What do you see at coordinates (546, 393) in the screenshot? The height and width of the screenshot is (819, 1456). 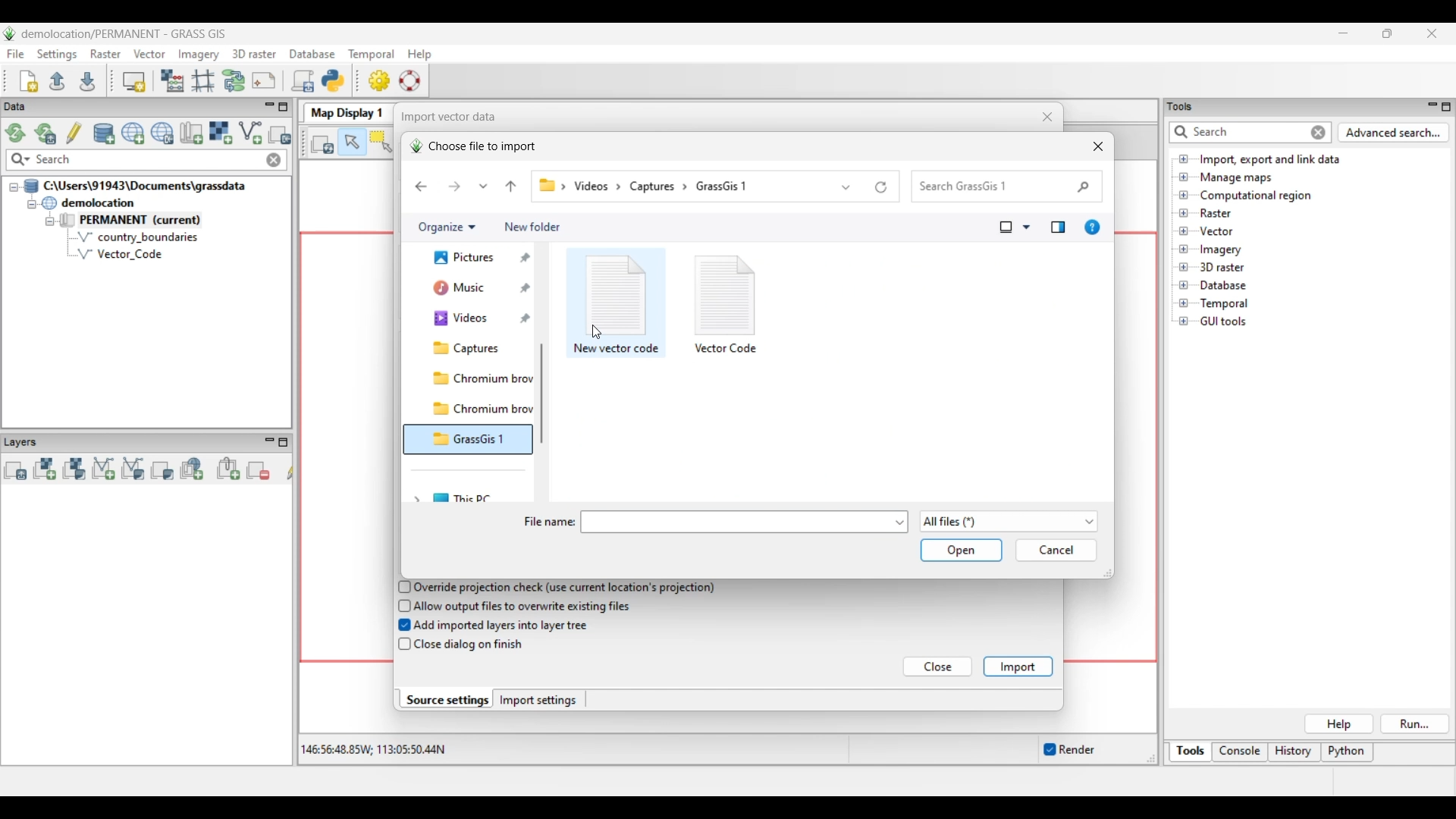 I see `scroll bar` at bounding box center [546, 393].